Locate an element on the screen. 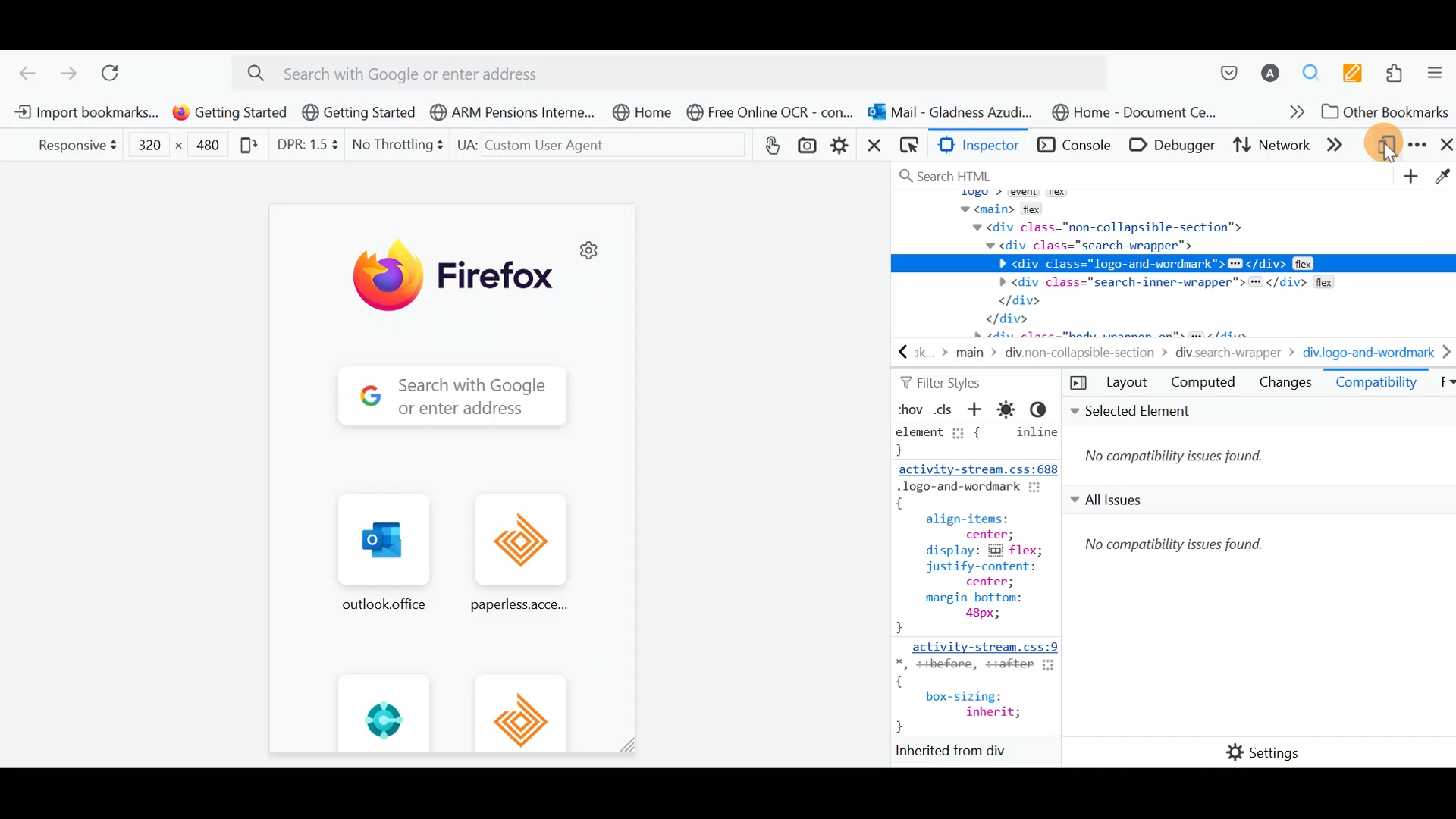 The width and height of the screenshot is (1456, 819). Create new node is located at coordinates (1407, 178).